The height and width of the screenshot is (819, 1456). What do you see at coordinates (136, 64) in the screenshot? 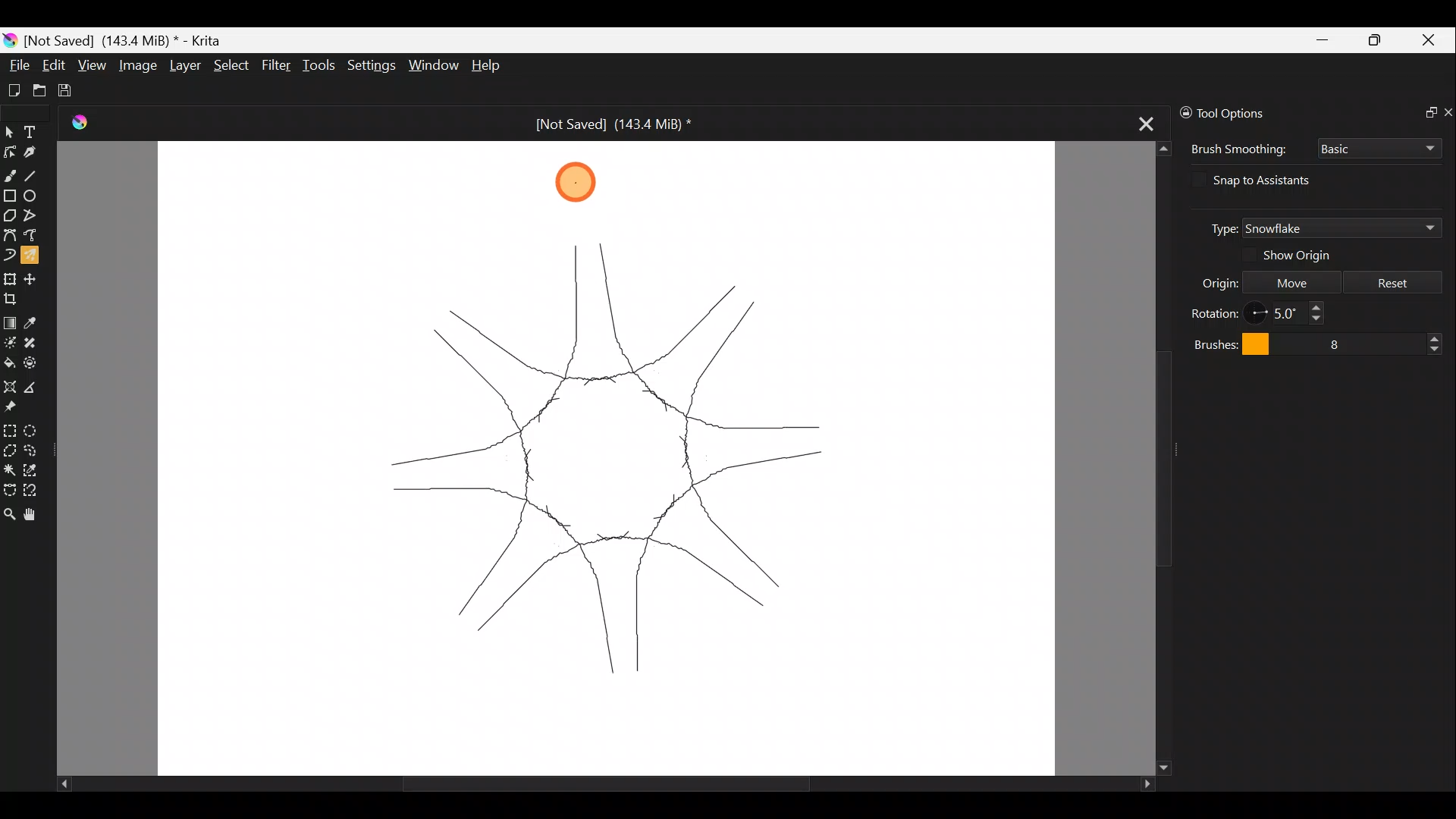
I see `Image` at bounding box center [136, 64].